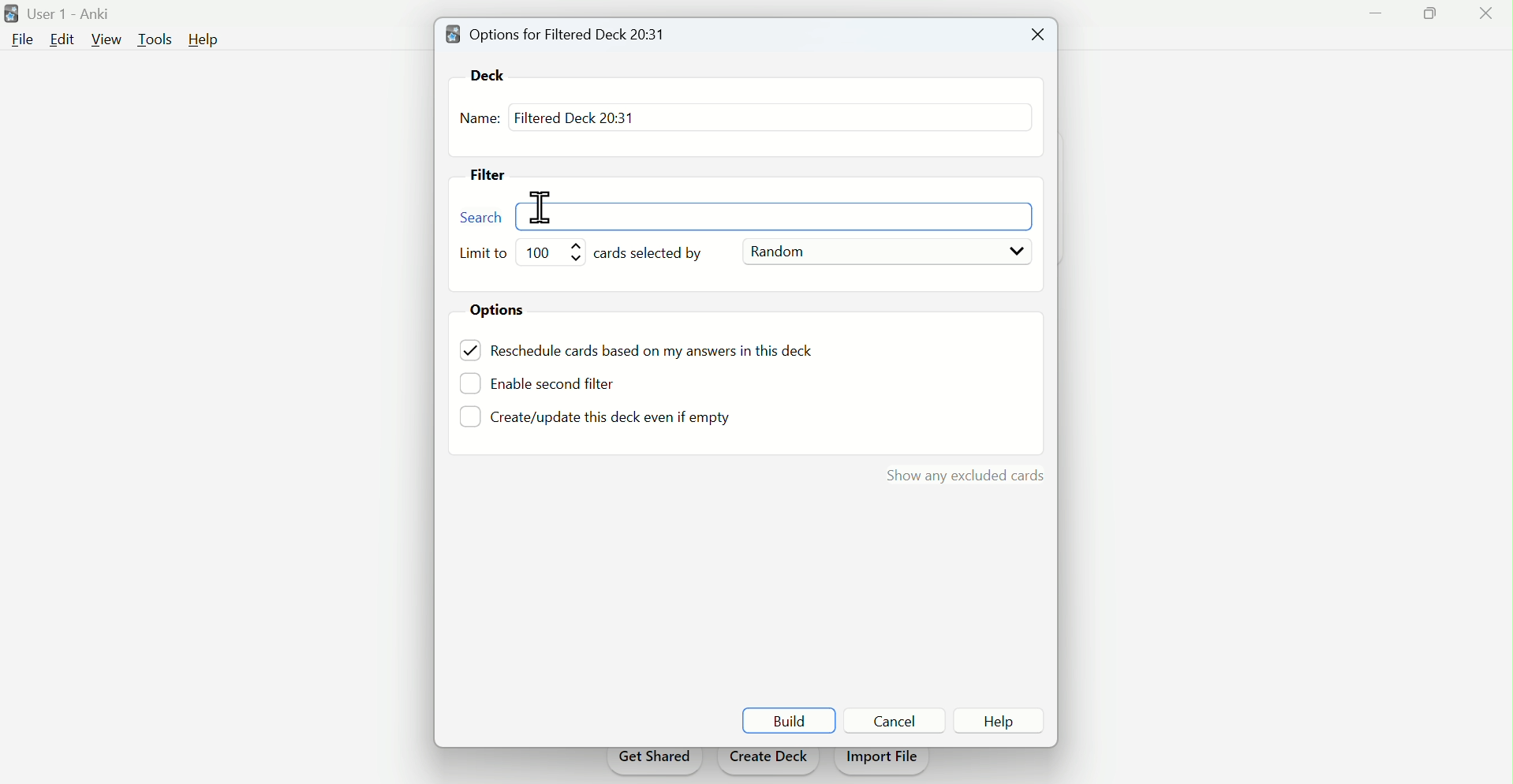 The height and width of the screenshot is (784, 1513). I want to click on Import file, so click(884, 762).